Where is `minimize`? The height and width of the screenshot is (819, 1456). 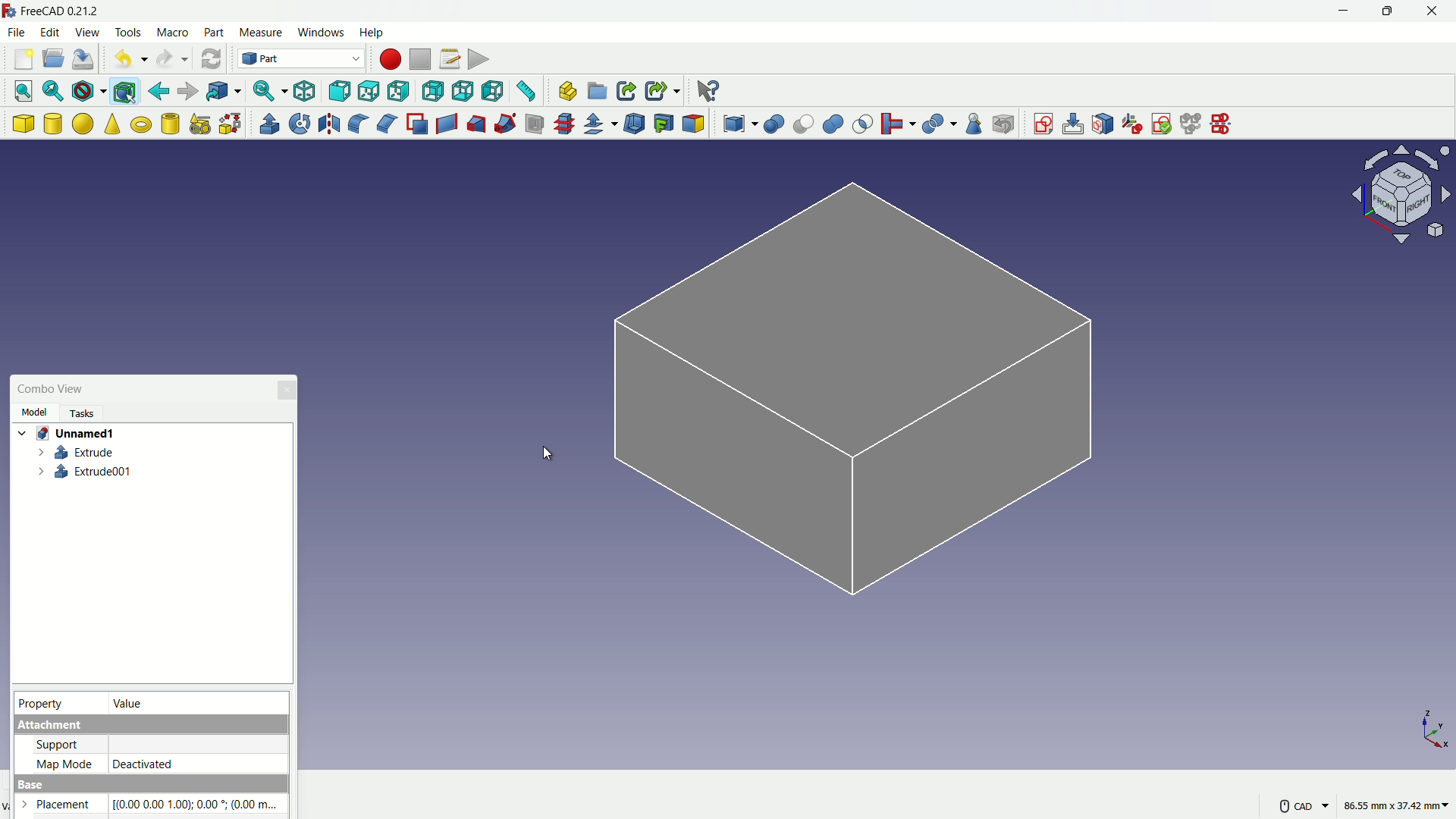 minimize is located at coordinates (1346, 11).